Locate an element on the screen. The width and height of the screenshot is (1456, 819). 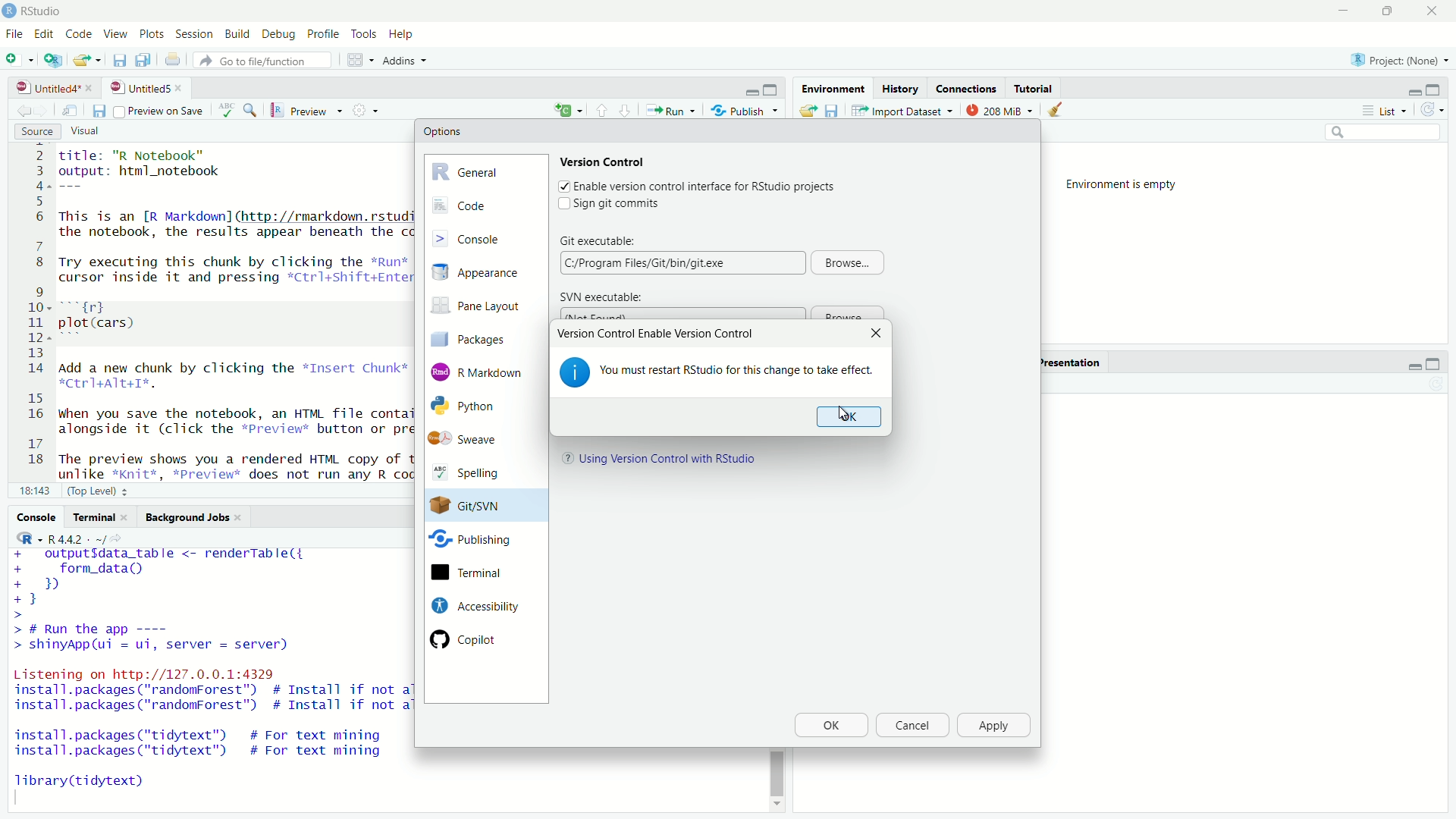
OK is located at coordinates (830, 726).